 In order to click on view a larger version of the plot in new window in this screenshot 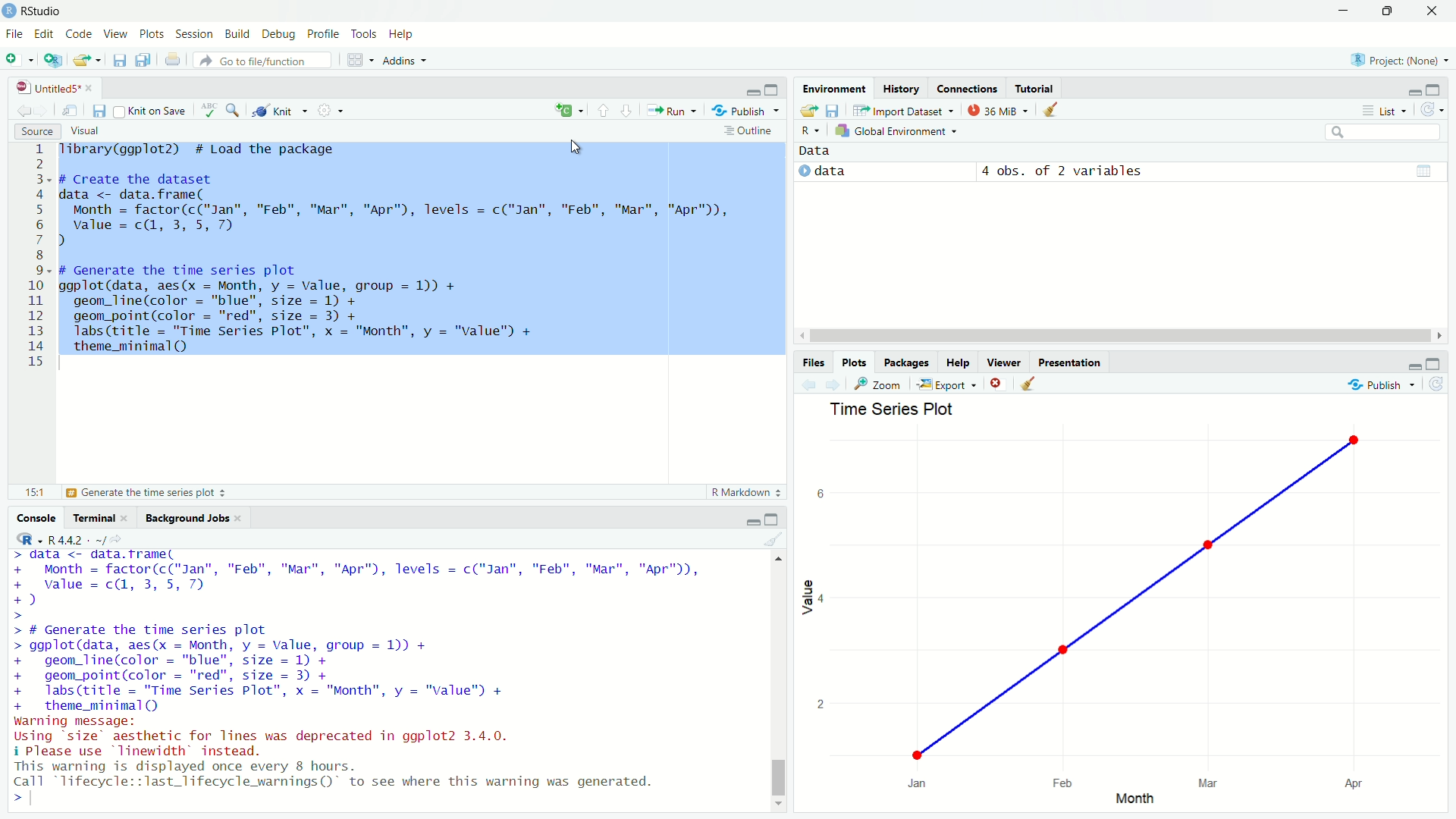, I will do `click(880, 384)`.